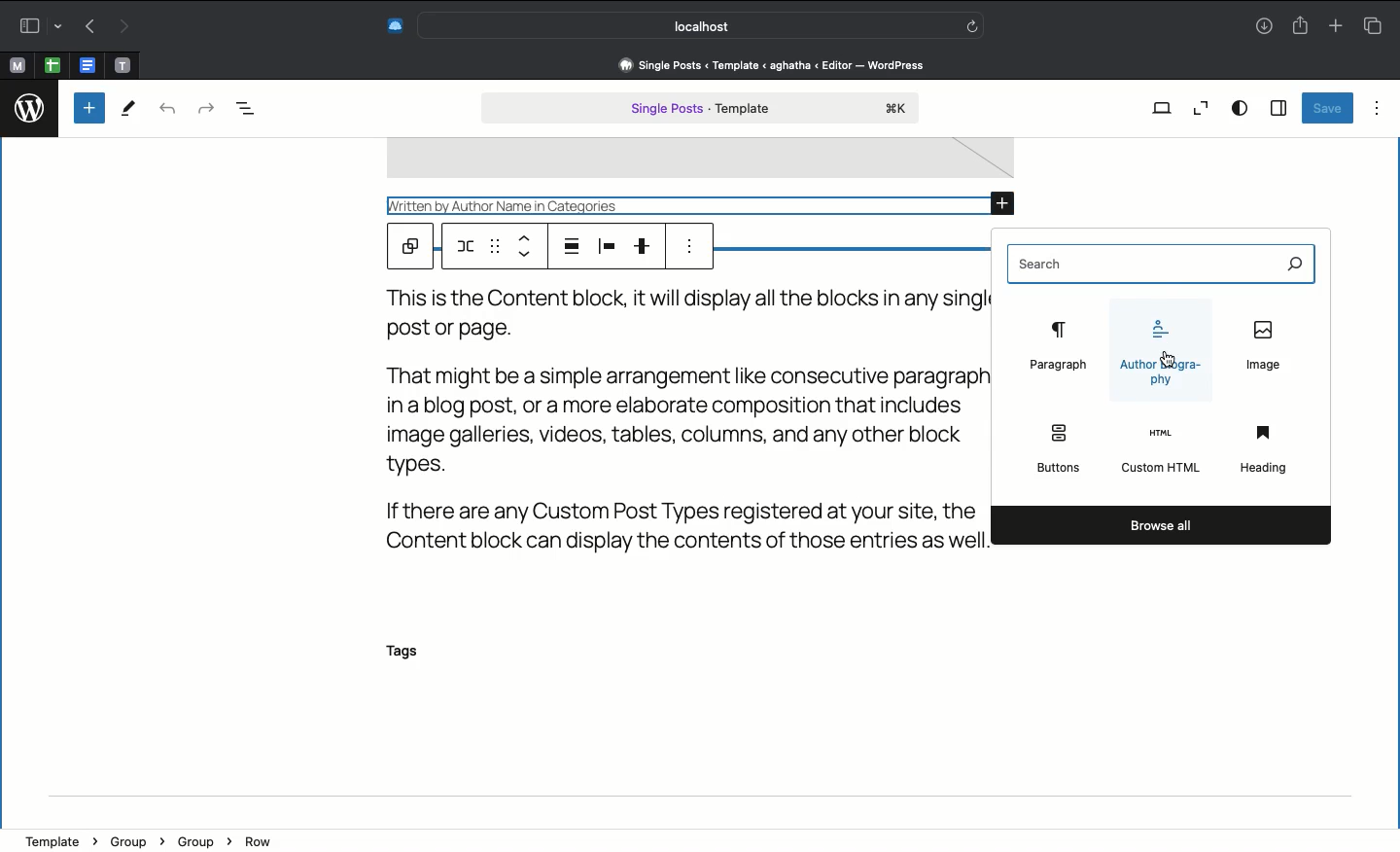 Image resolution: width=1400 pixels, height=852 pixels. I want to click on Paragraph, so click(1061, 344).